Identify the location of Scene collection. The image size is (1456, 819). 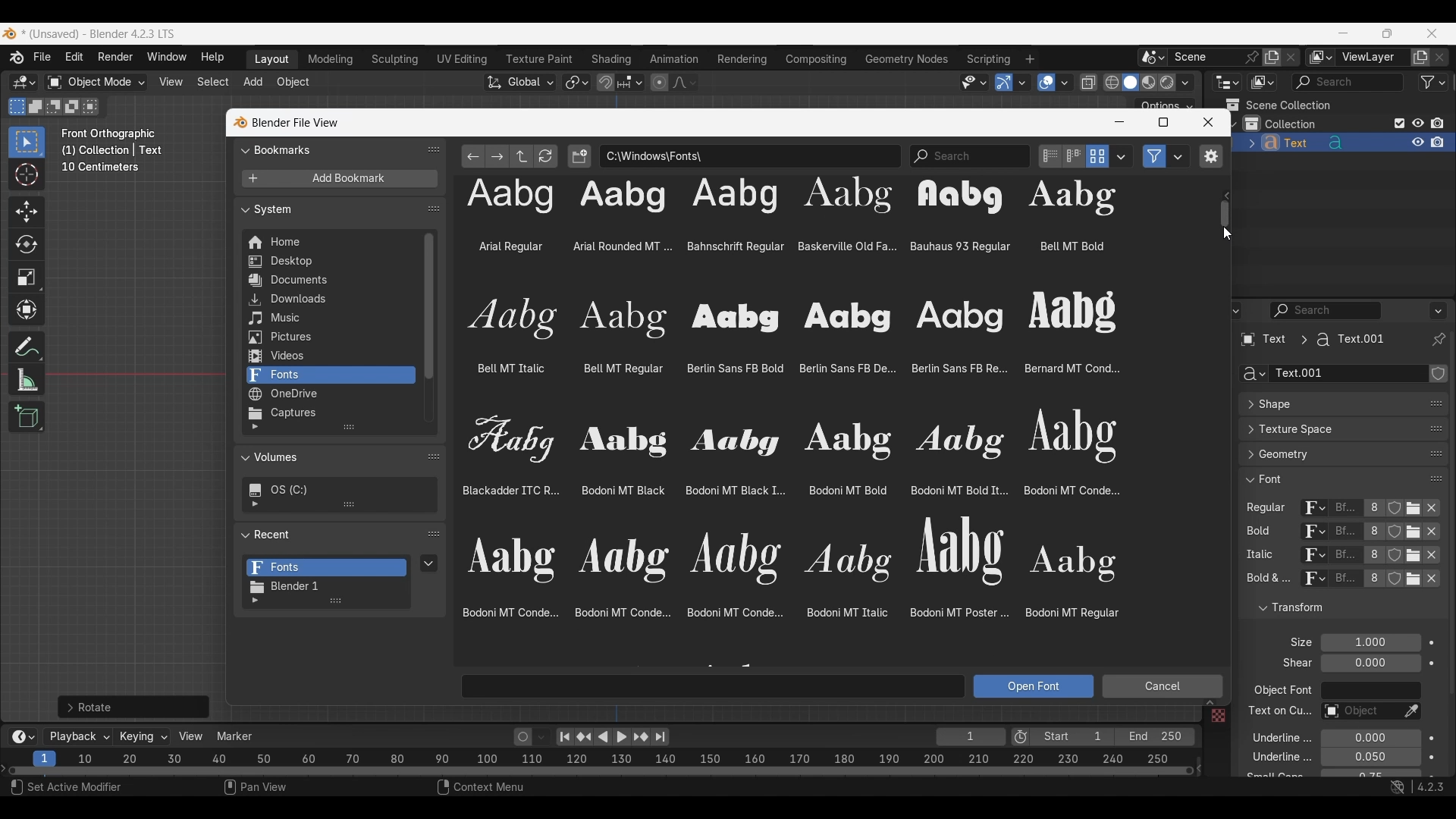
(1278, 105).